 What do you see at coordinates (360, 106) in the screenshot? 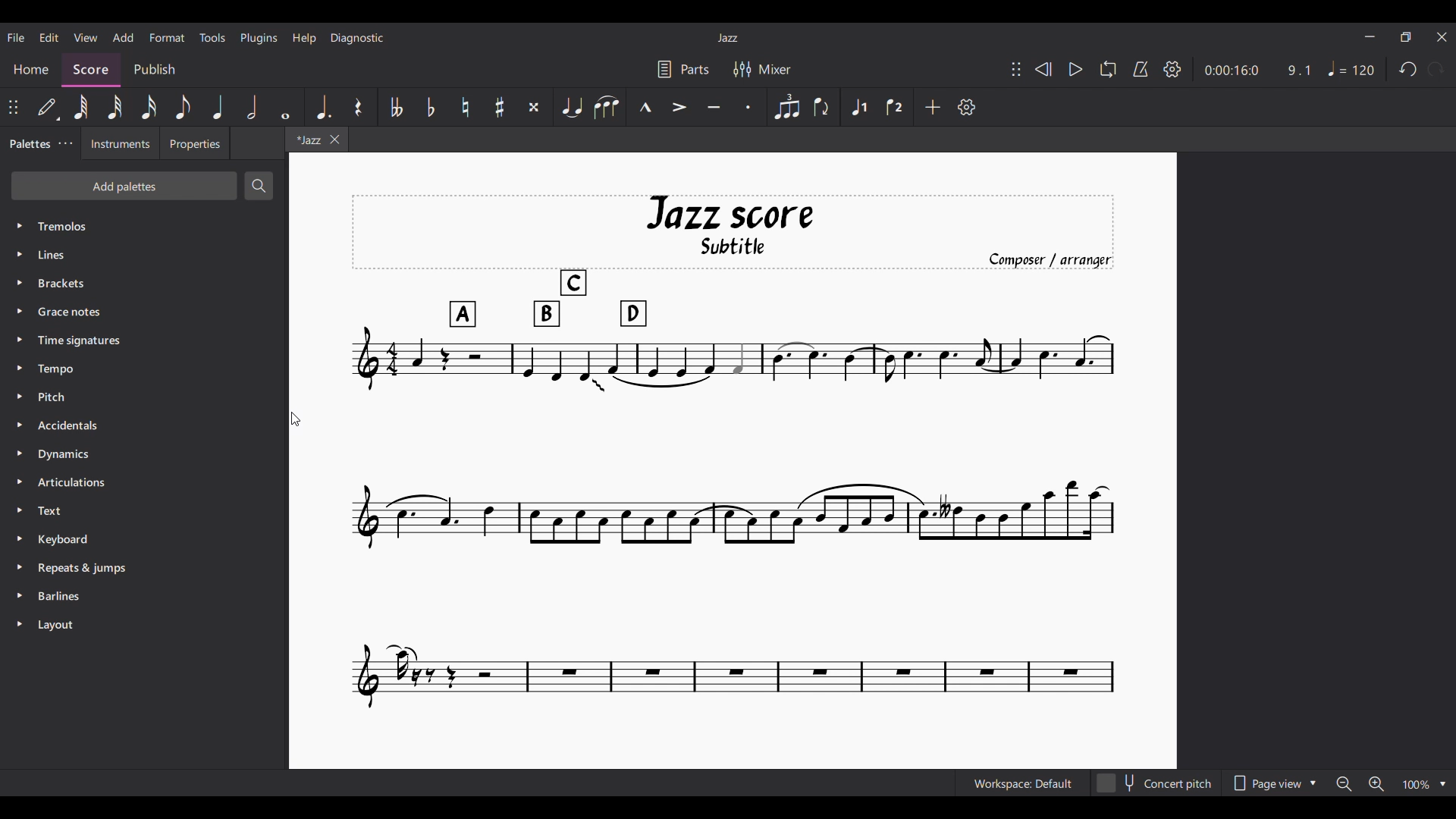
I see `Rest` at bounding box center [360, 106].